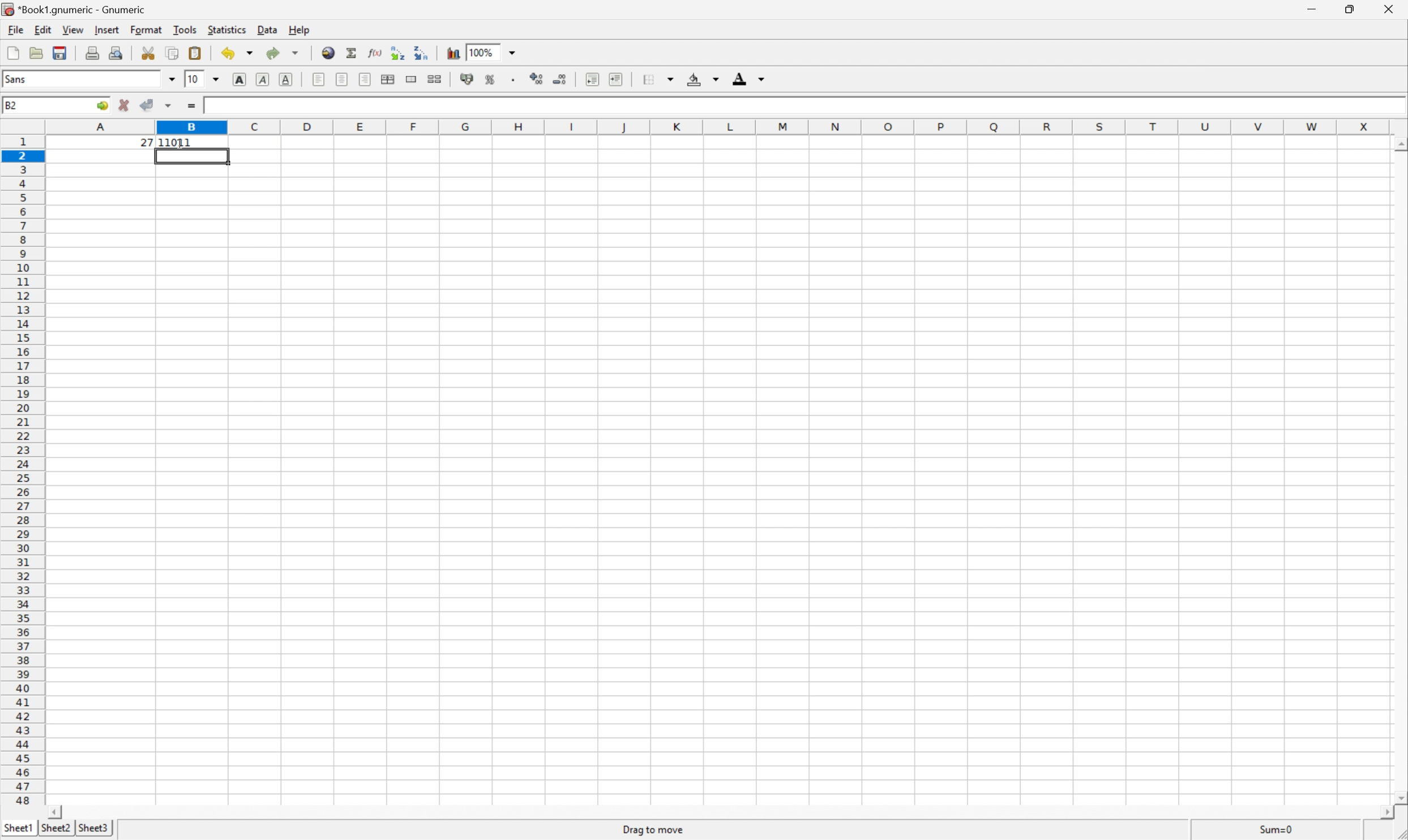 This screenshot has width=1408, height=840. What do you see at coordinates (41, 31) in the screenshot?
I see `Edit` at bounding box center [41, 31].